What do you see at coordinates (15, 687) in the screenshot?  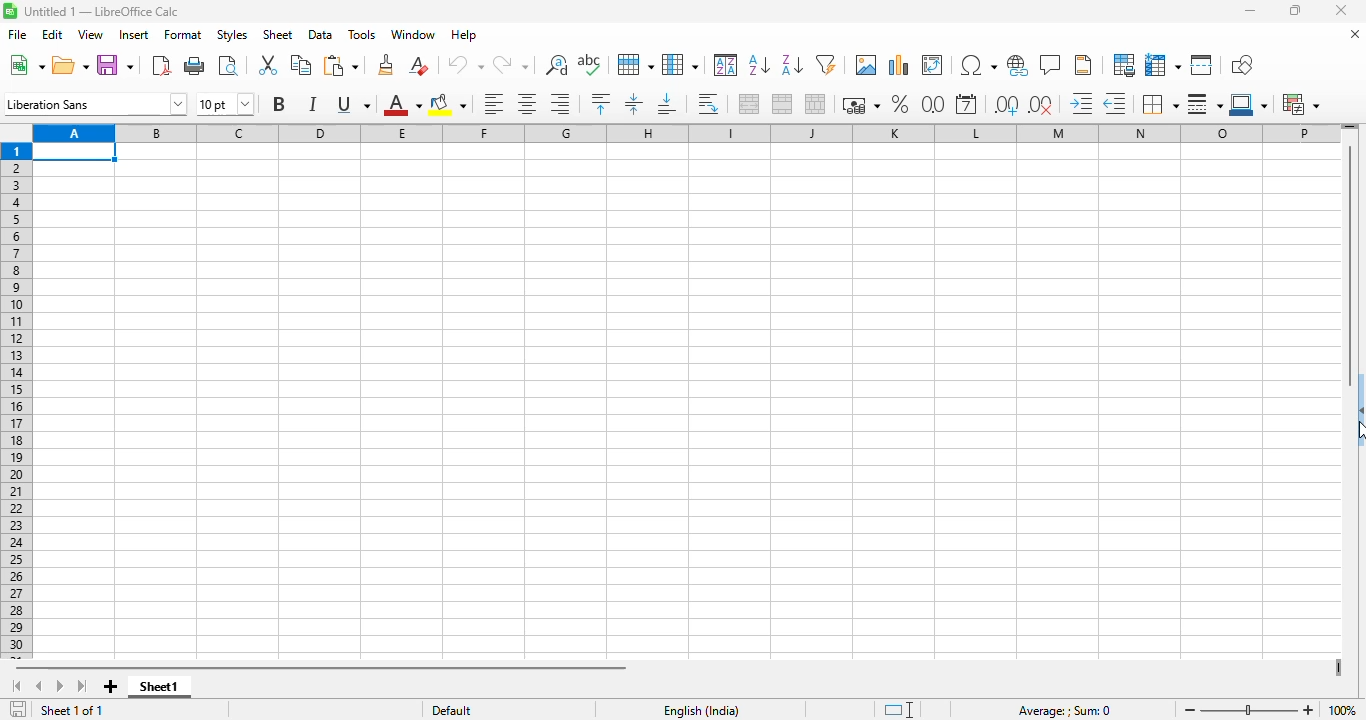 I see `scroll to first sheet` at bounding box center [15, 687].